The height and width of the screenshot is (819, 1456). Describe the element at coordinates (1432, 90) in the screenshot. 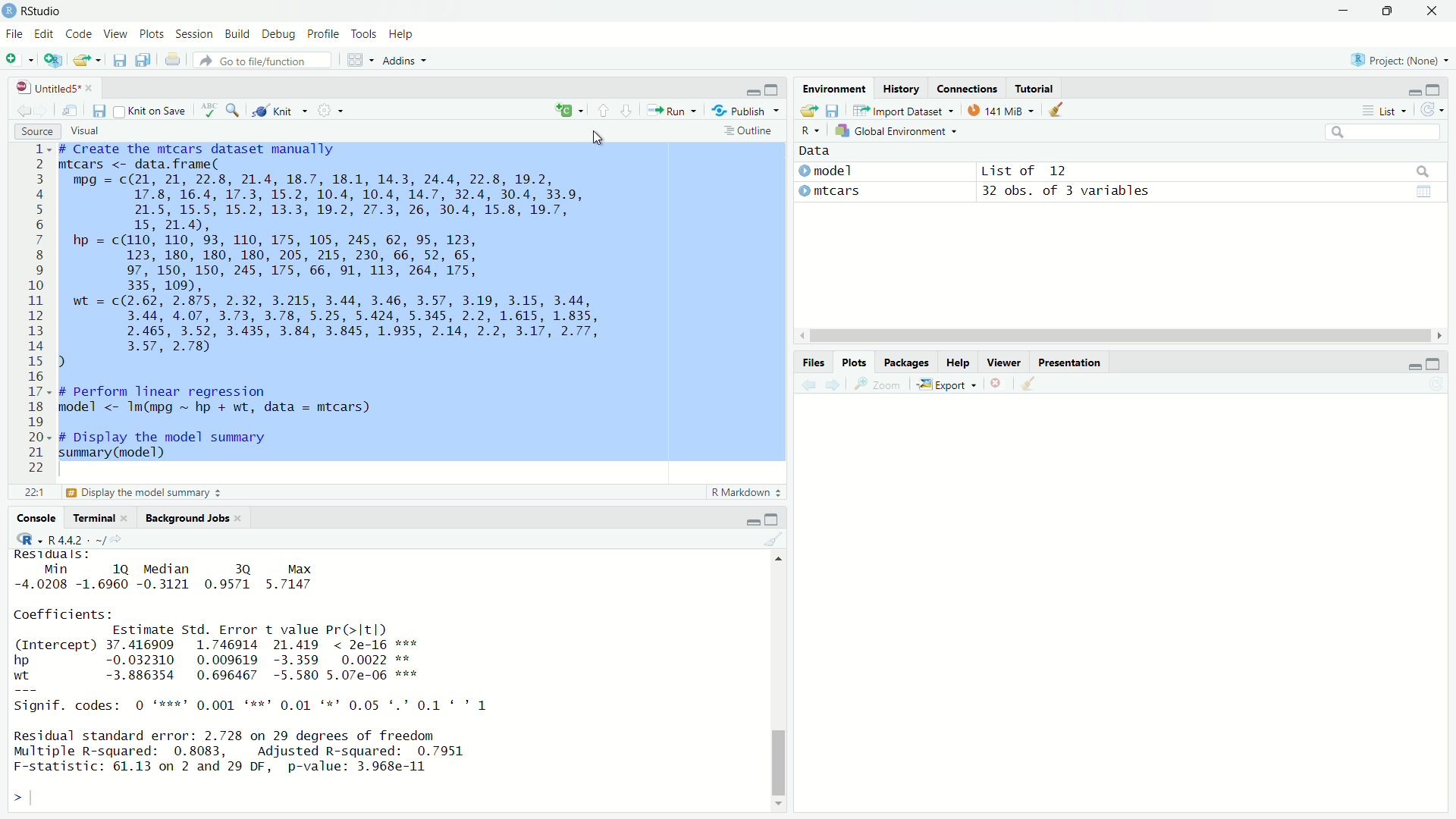

I see `maximize` at that location.